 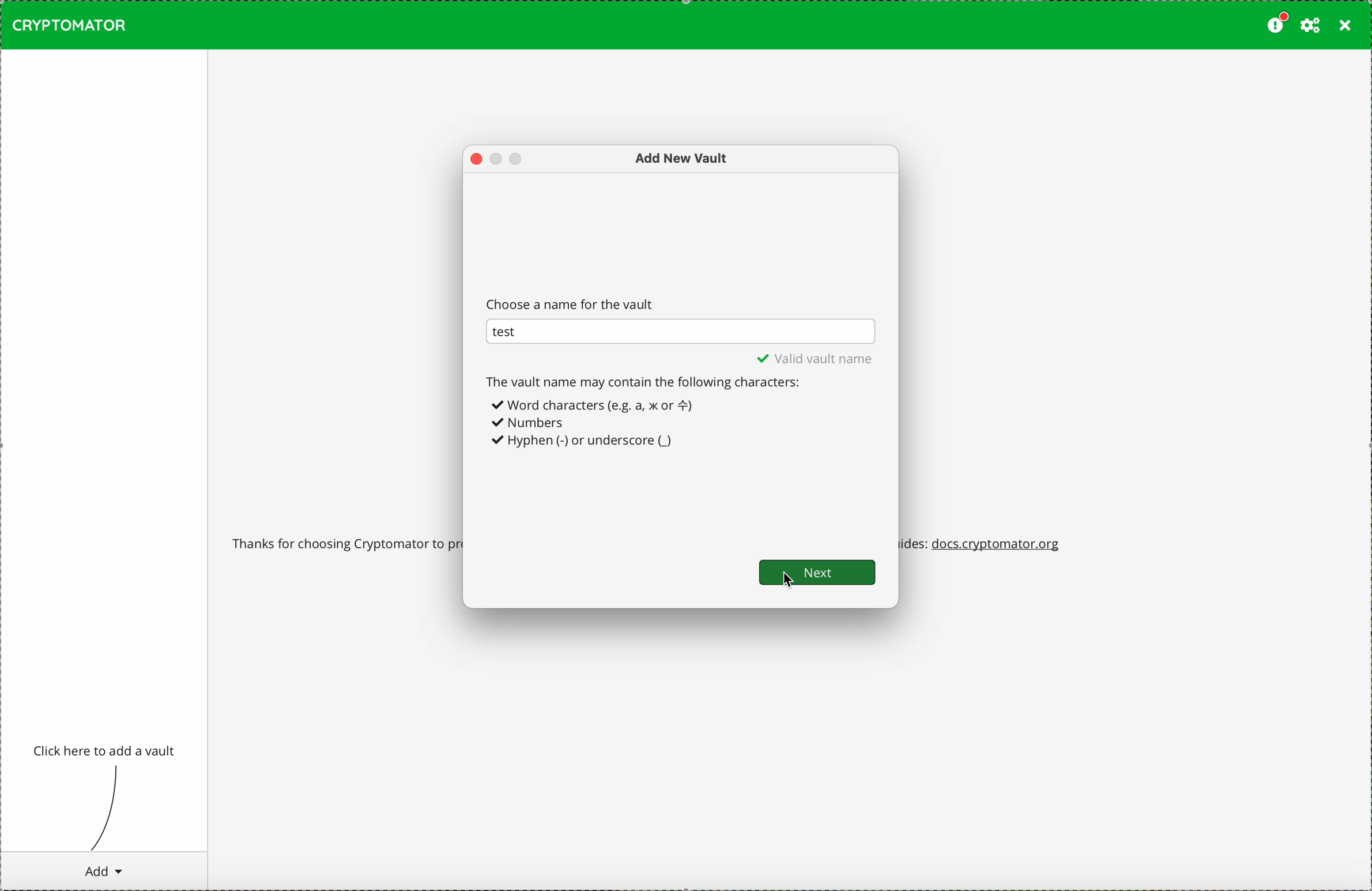 I want to click on add new vault window, so click(x=674, y=159).